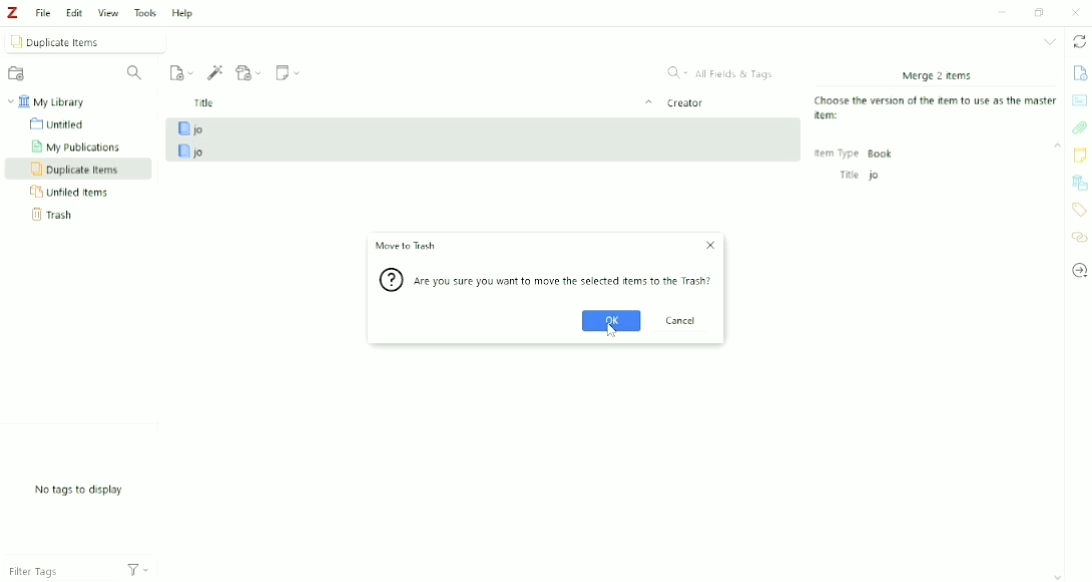 Image resolution: width=1092 pixels, height=582 pixels. Describe the element at coordinates (76, 169) in the screenshot. I see `Duplicate Items` at that location.